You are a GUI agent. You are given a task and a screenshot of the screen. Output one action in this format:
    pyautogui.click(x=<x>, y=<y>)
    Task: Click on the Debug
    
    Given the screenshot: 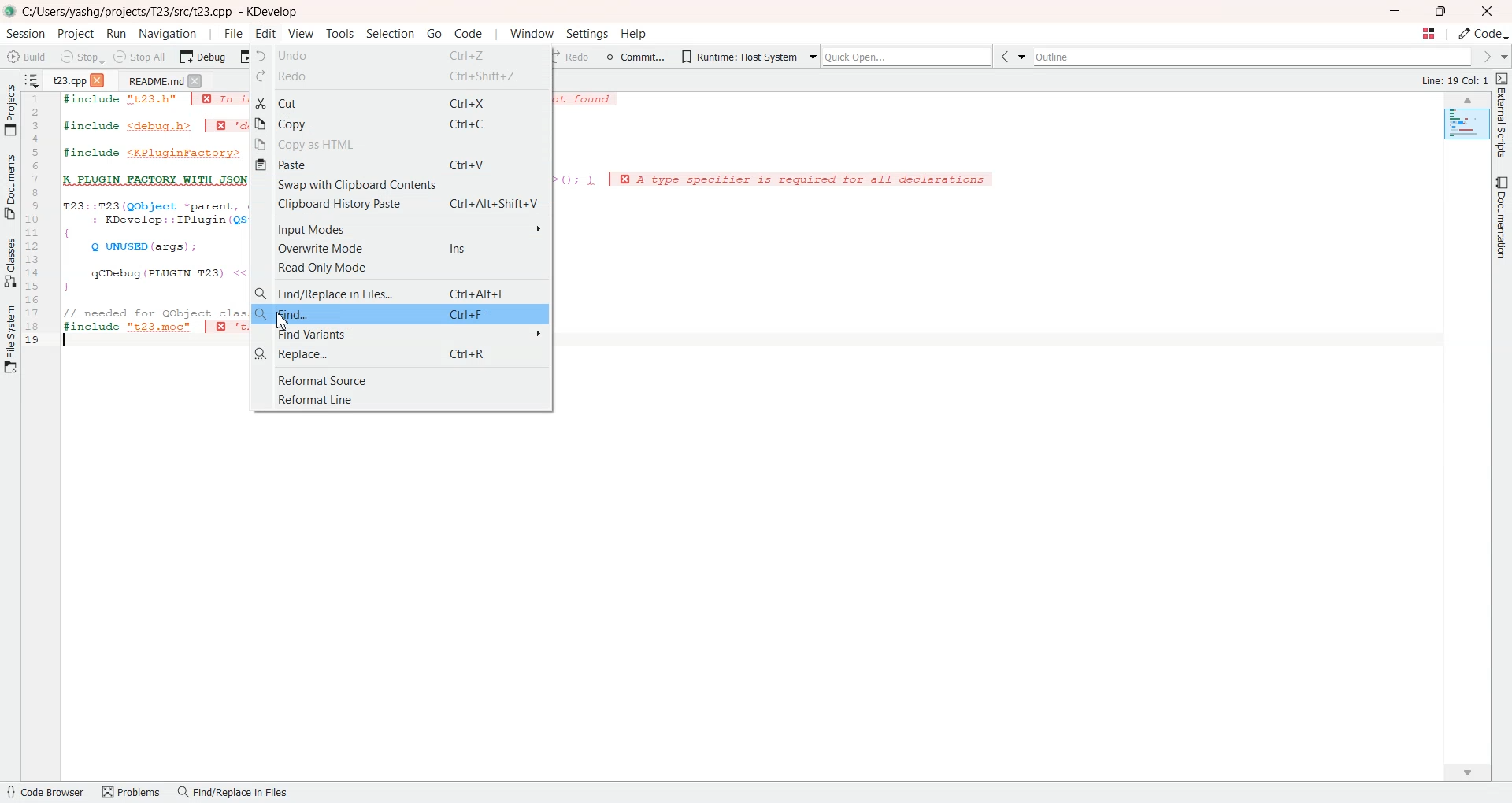 What is the action you would take?
    pyautogui.click(x=202, y=57)
    